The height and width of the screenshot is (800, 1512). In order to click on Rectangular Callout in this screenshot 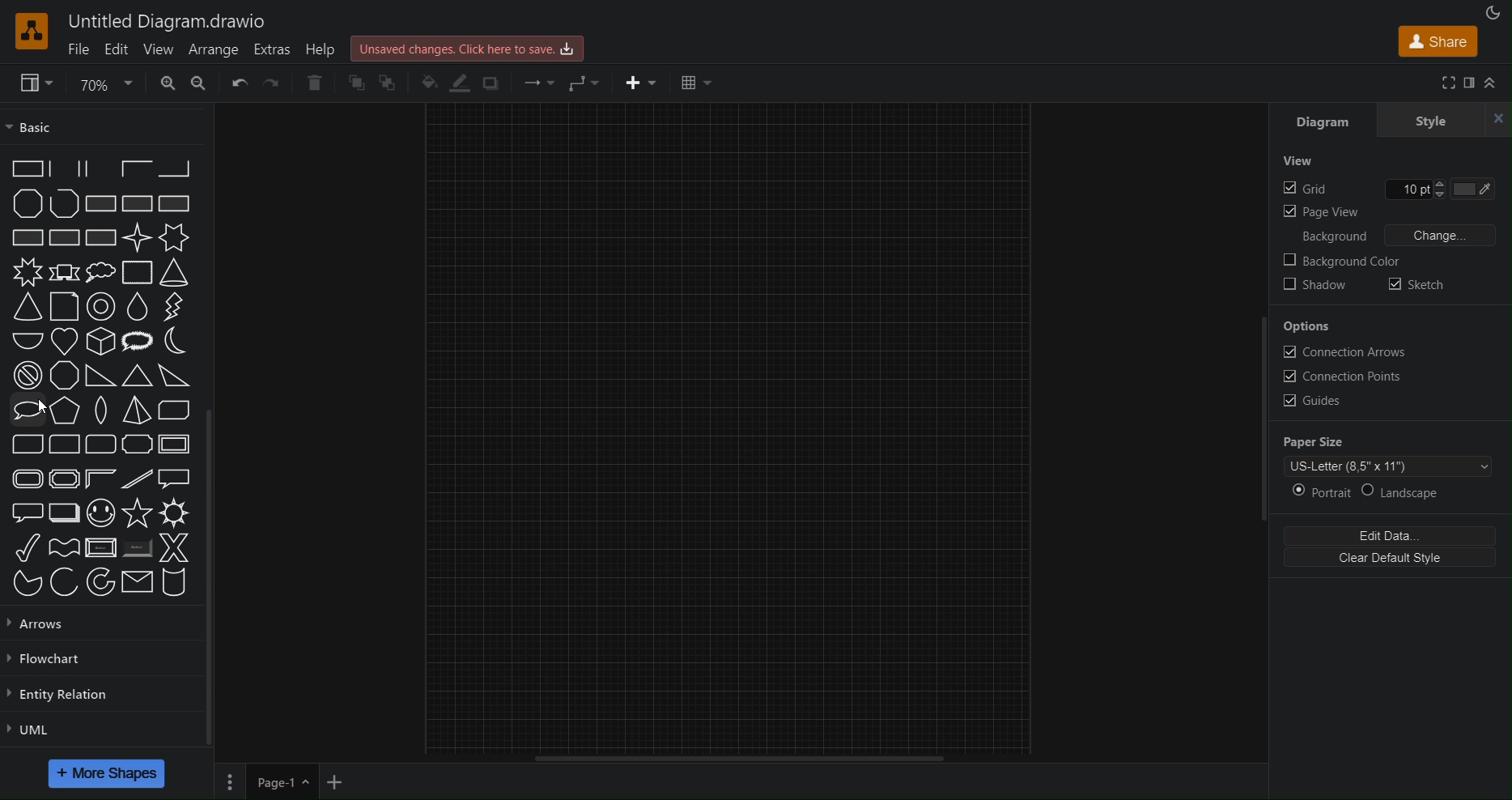, I will do `click(175, 479)`.